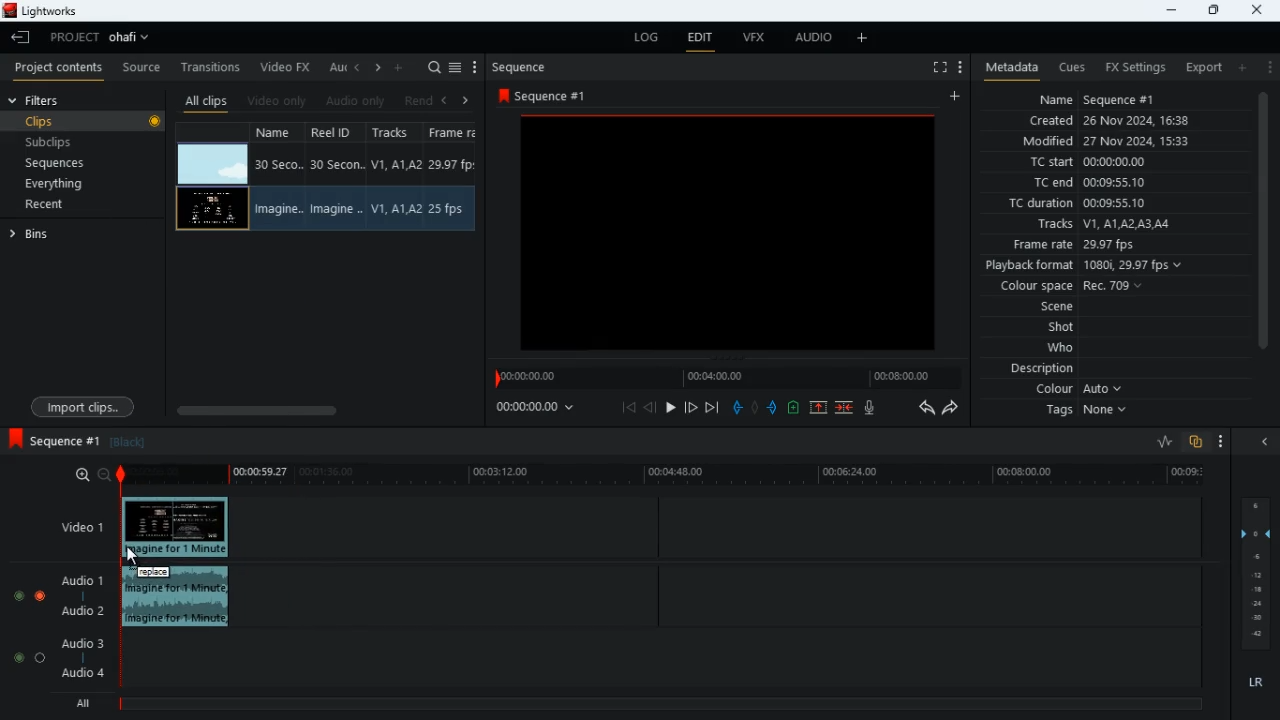 This screenshot has width=1280, height=720. What do you see at coordinates (760, 41) in the screenshot?
I see `vfx` at bounding box center [760, 41].